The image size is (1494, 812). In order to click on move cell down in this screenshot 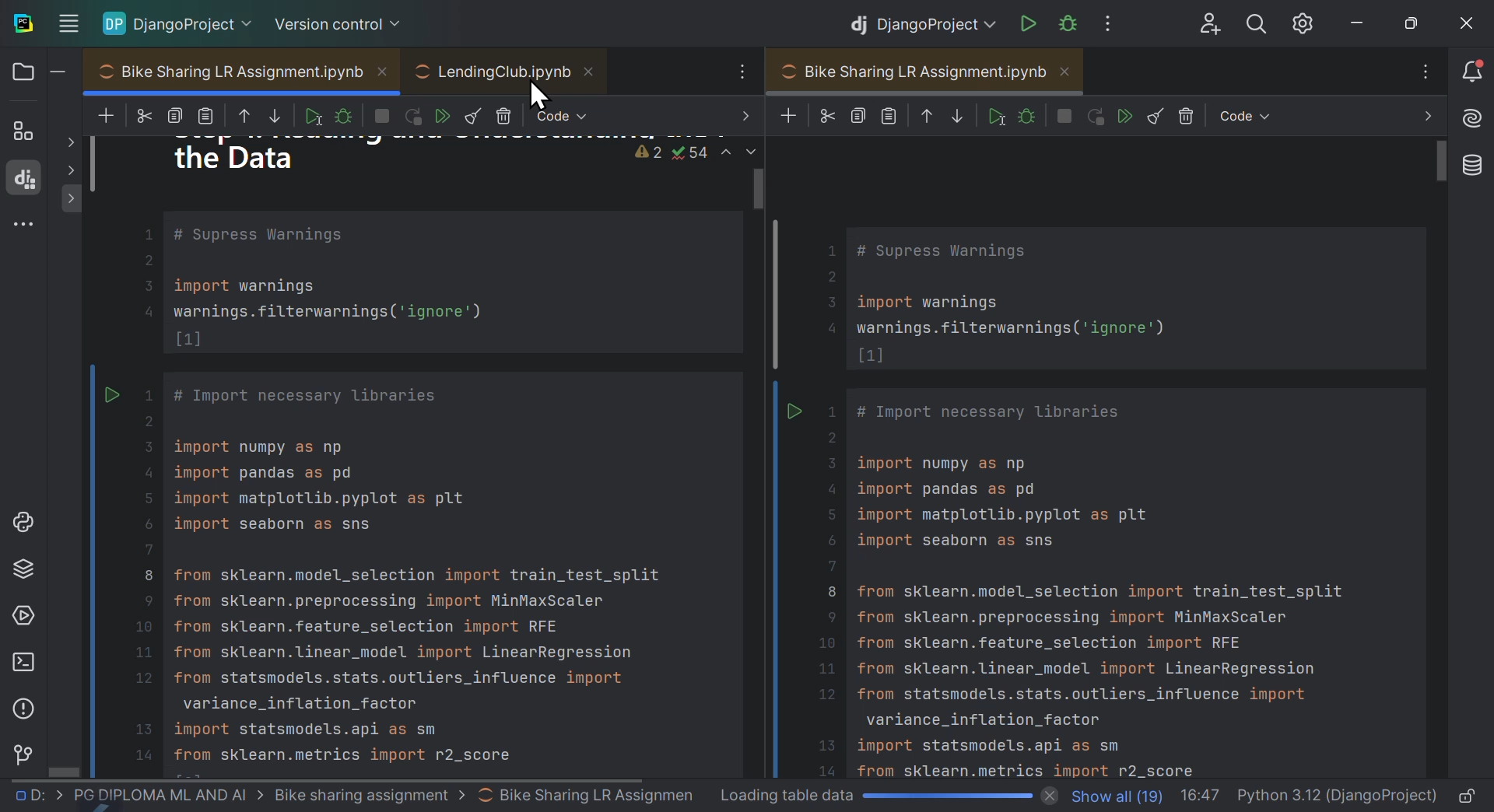, I will do `click(956, 117)`.